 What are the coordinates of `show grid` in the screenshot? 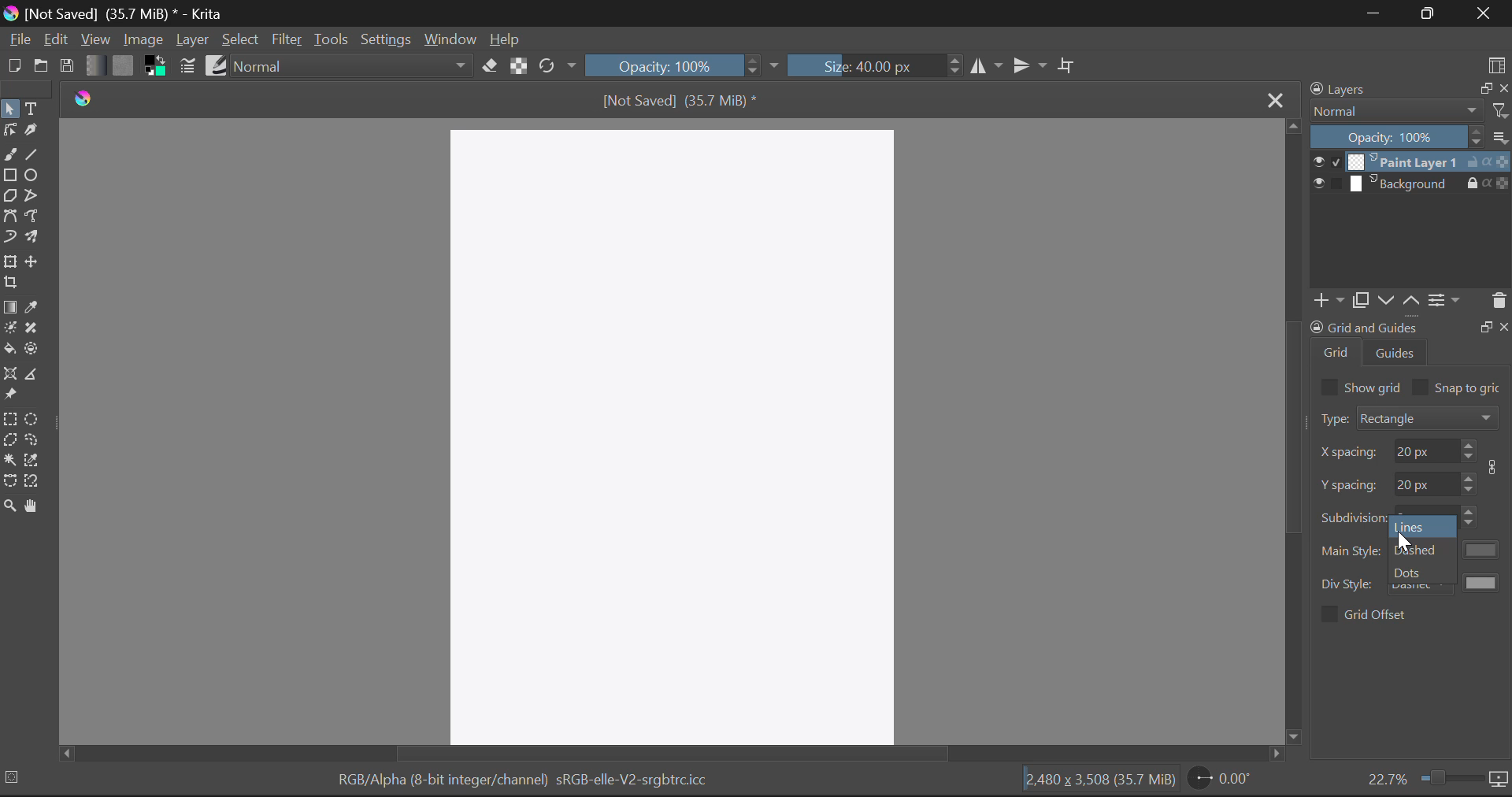 It's located at (1374, 387).